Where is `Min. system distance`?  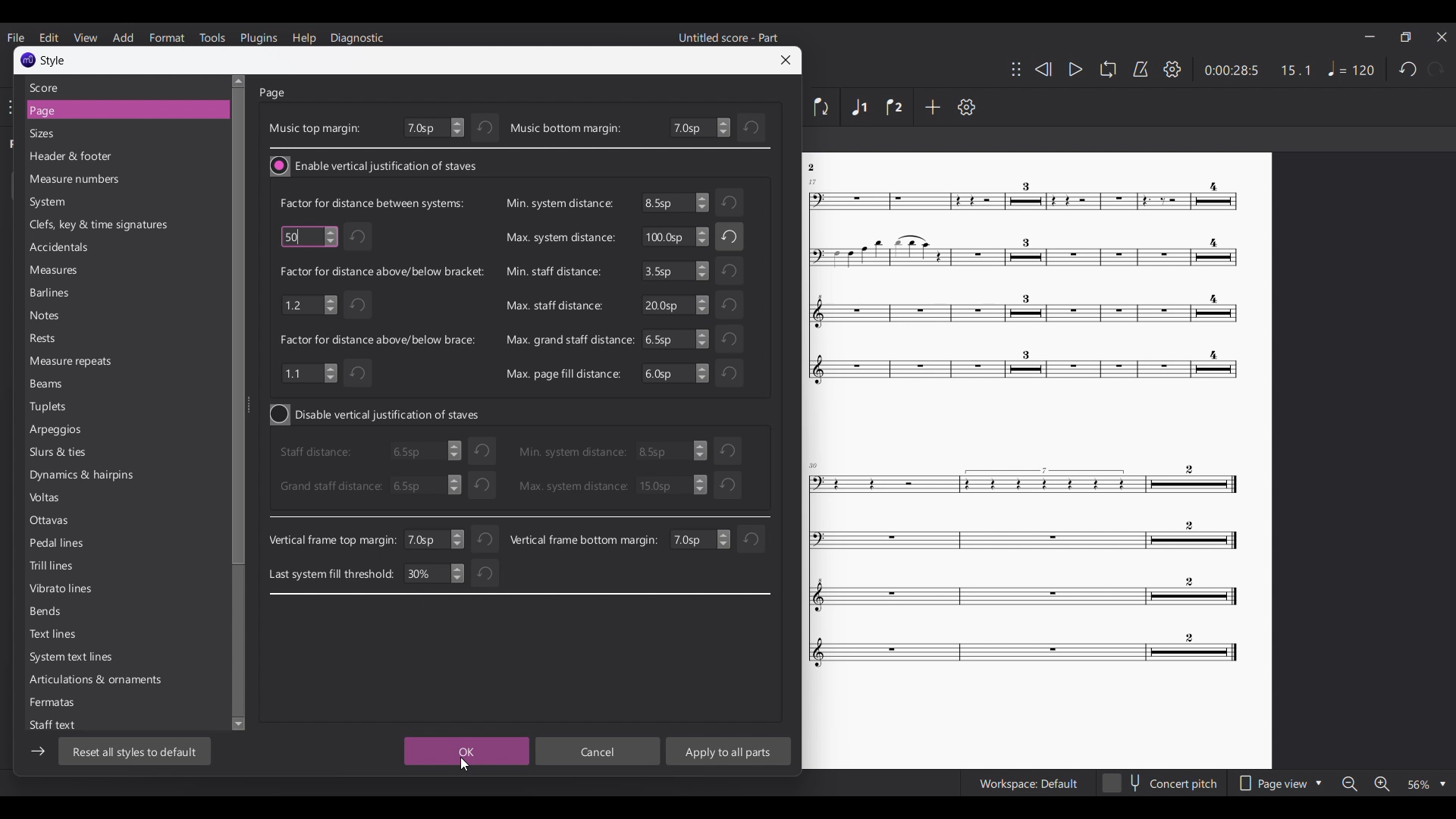 Min. system distance is located at coordinates (557, 203).